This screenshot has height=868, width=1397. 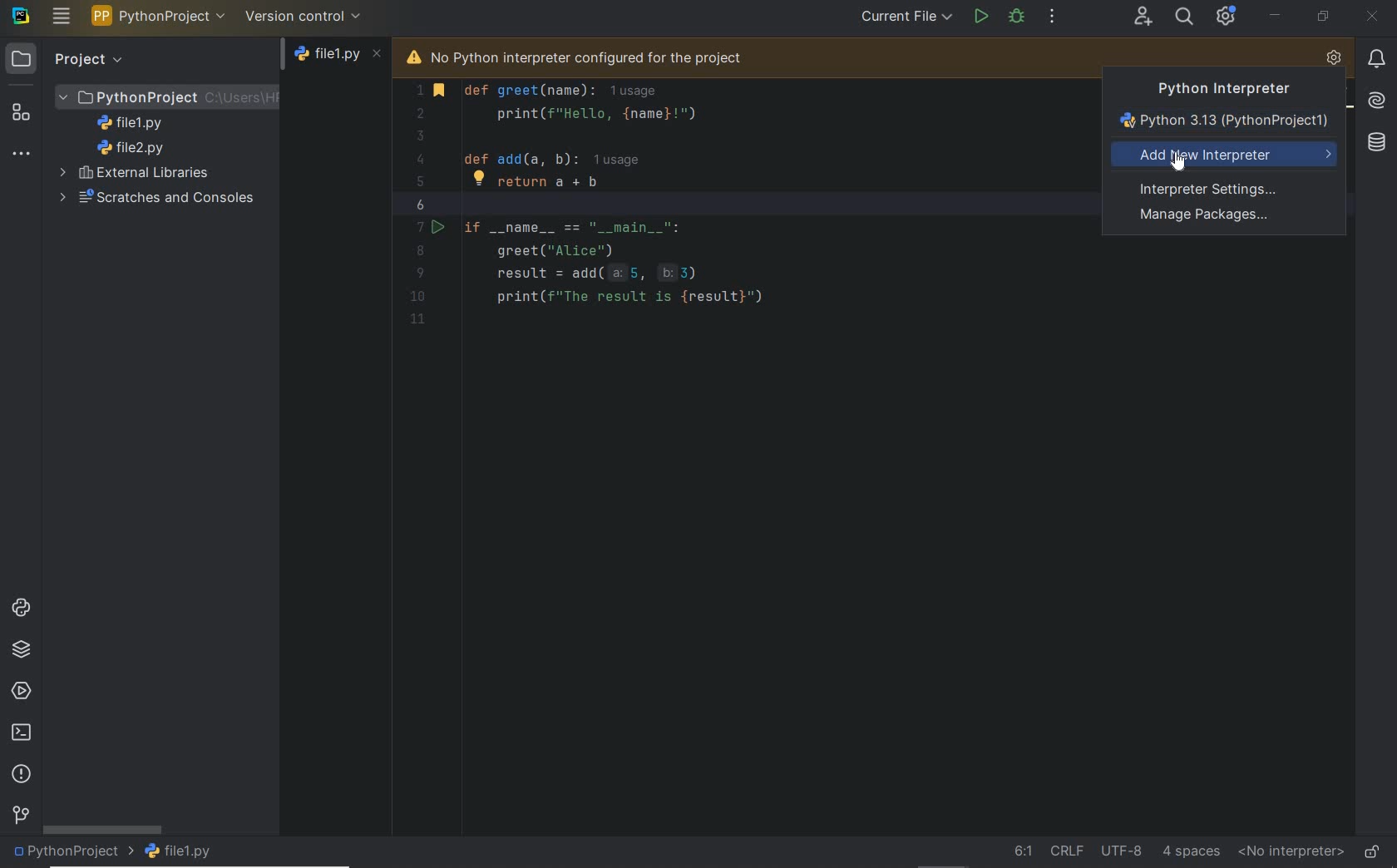 What do you see at coordinates (68, 58) in the screenshot?
I see `Project` at bounding box center [68, 58].